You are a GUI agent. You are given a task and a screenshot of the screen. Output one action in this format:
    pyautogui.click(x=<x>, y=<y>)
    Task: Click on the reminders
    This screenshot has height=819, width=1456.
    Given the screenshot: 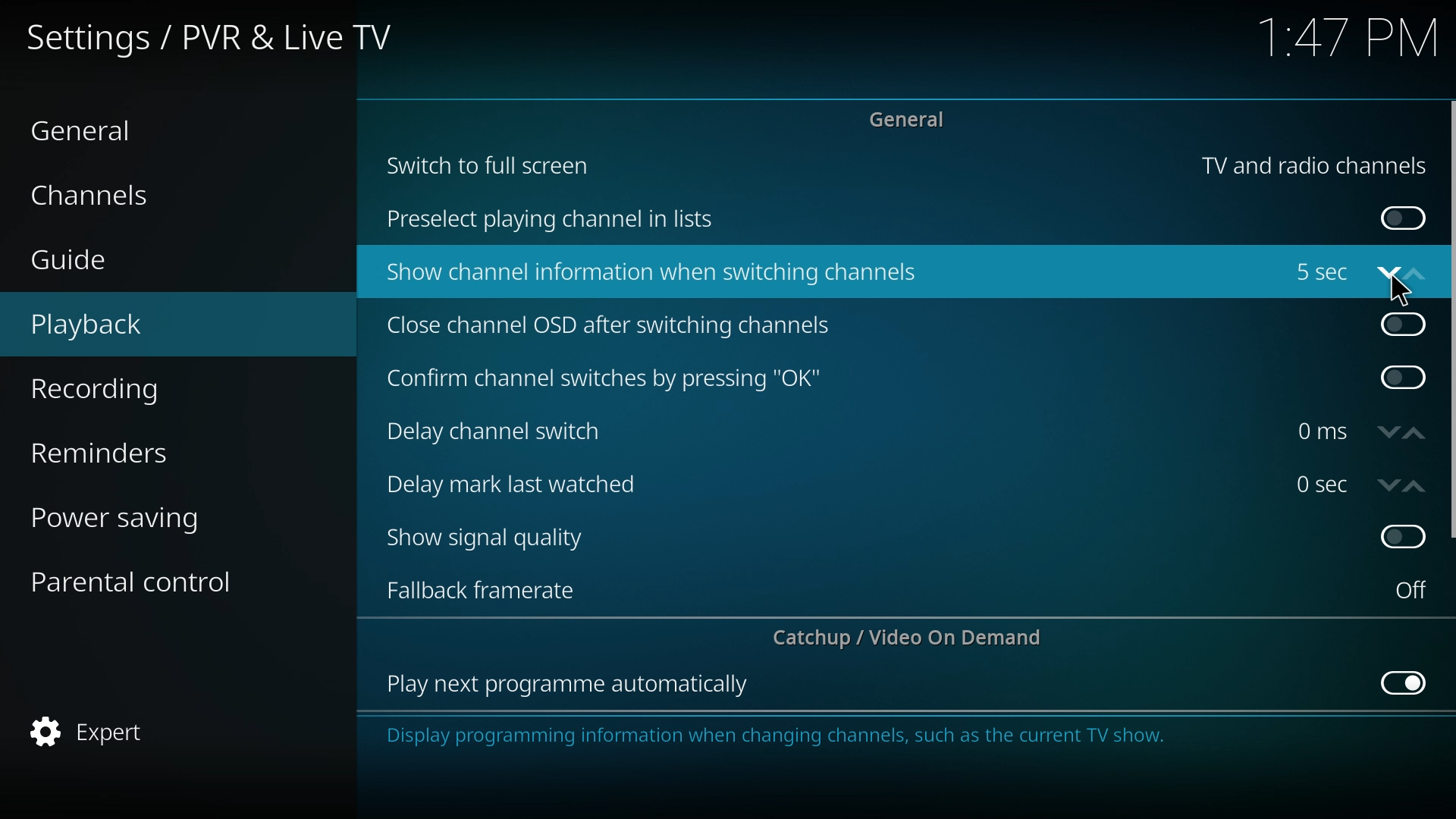 What is the action you would take?
    pyautogui.click(x=136, y=450)
    